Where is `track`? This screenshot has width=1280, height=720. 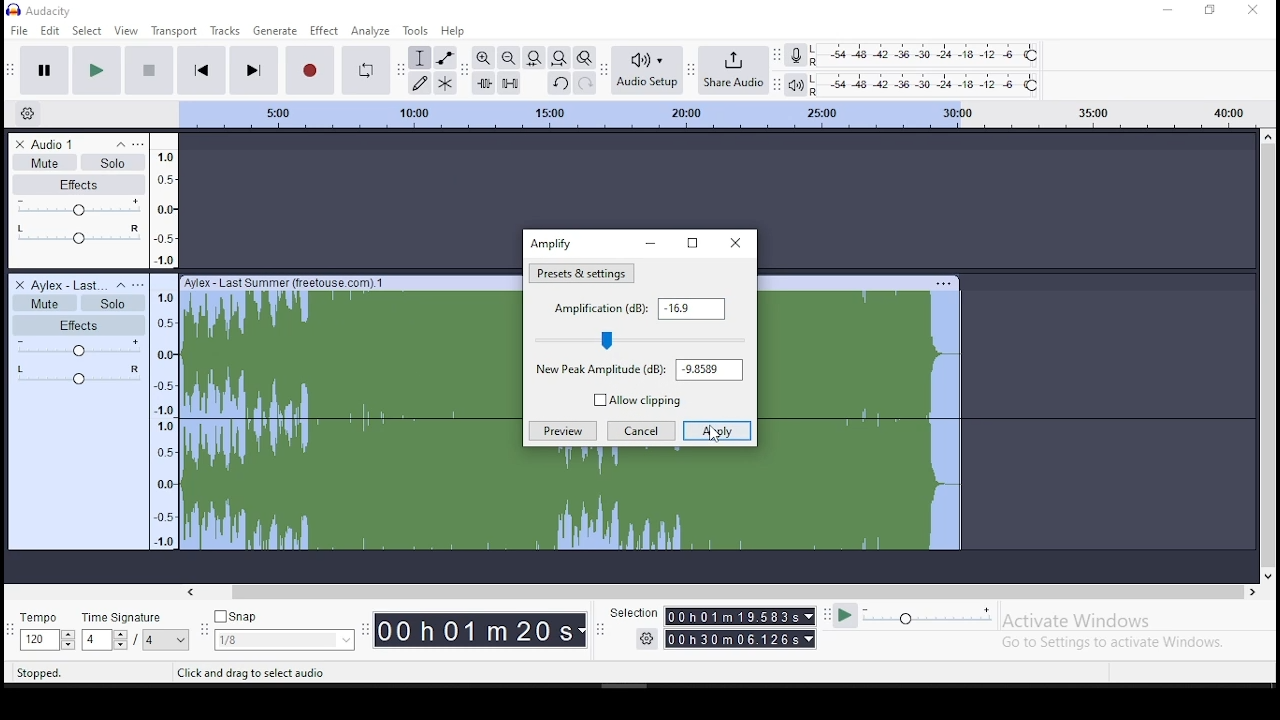 track is located at coordinates (354, 422).